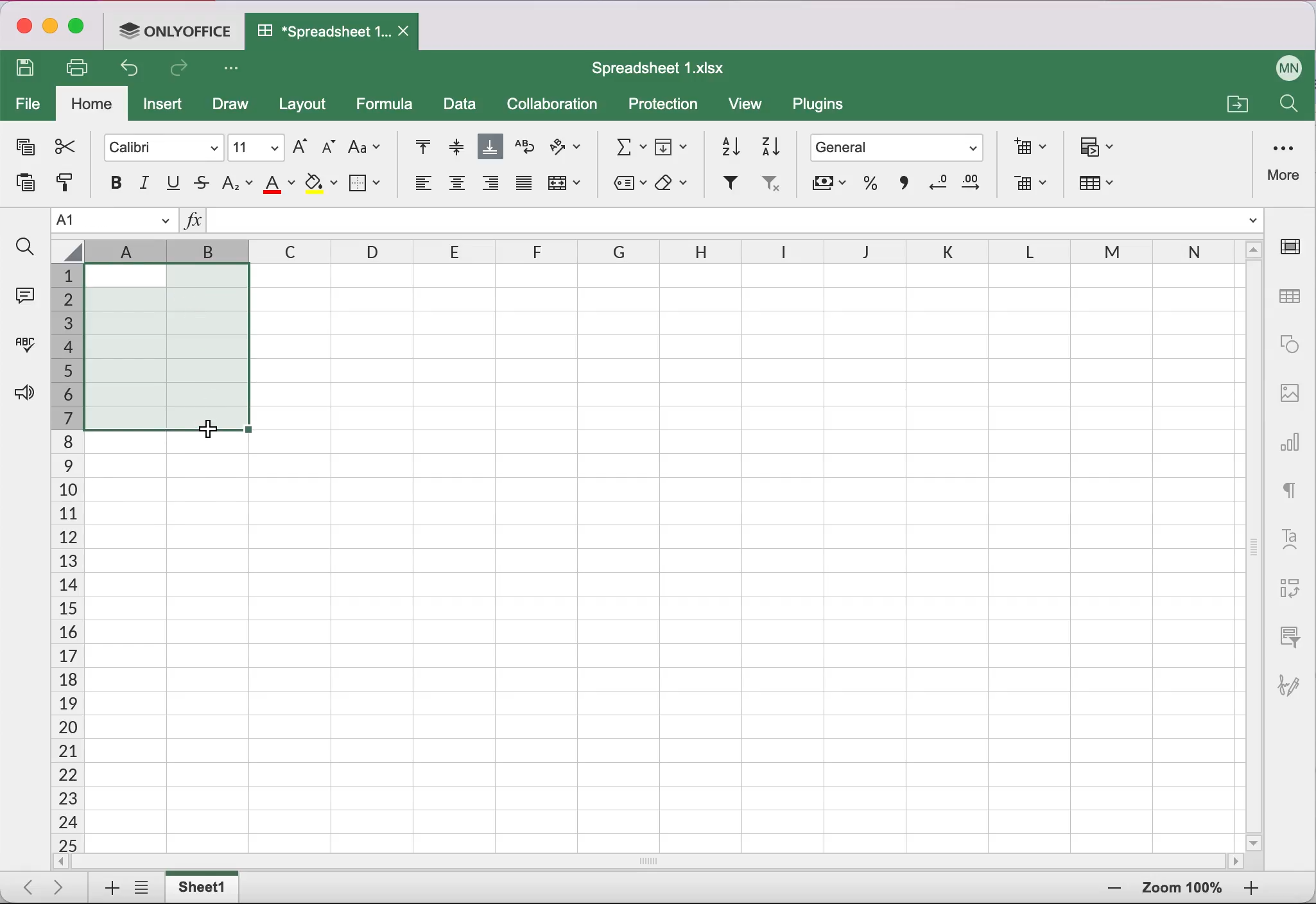 This screenshot has width=1316, height=904. Describe the element at coordinates (22, 349) in the screenshot. I see `spell checking` at that location.